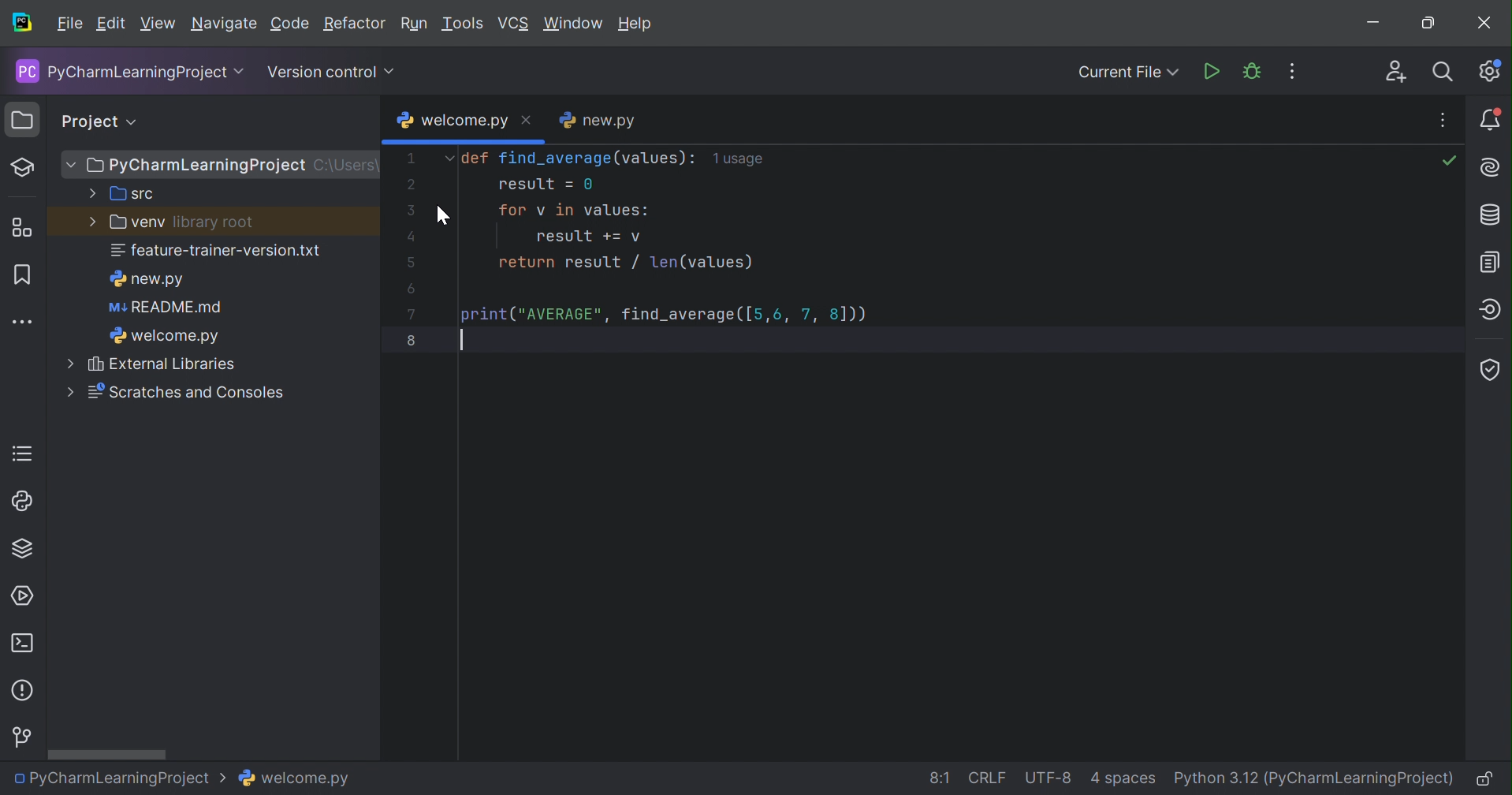 The image size is (1512, 795). Describe the element at coordinates (26, 548) in the screenshot. I see `Python Packages` at that location.